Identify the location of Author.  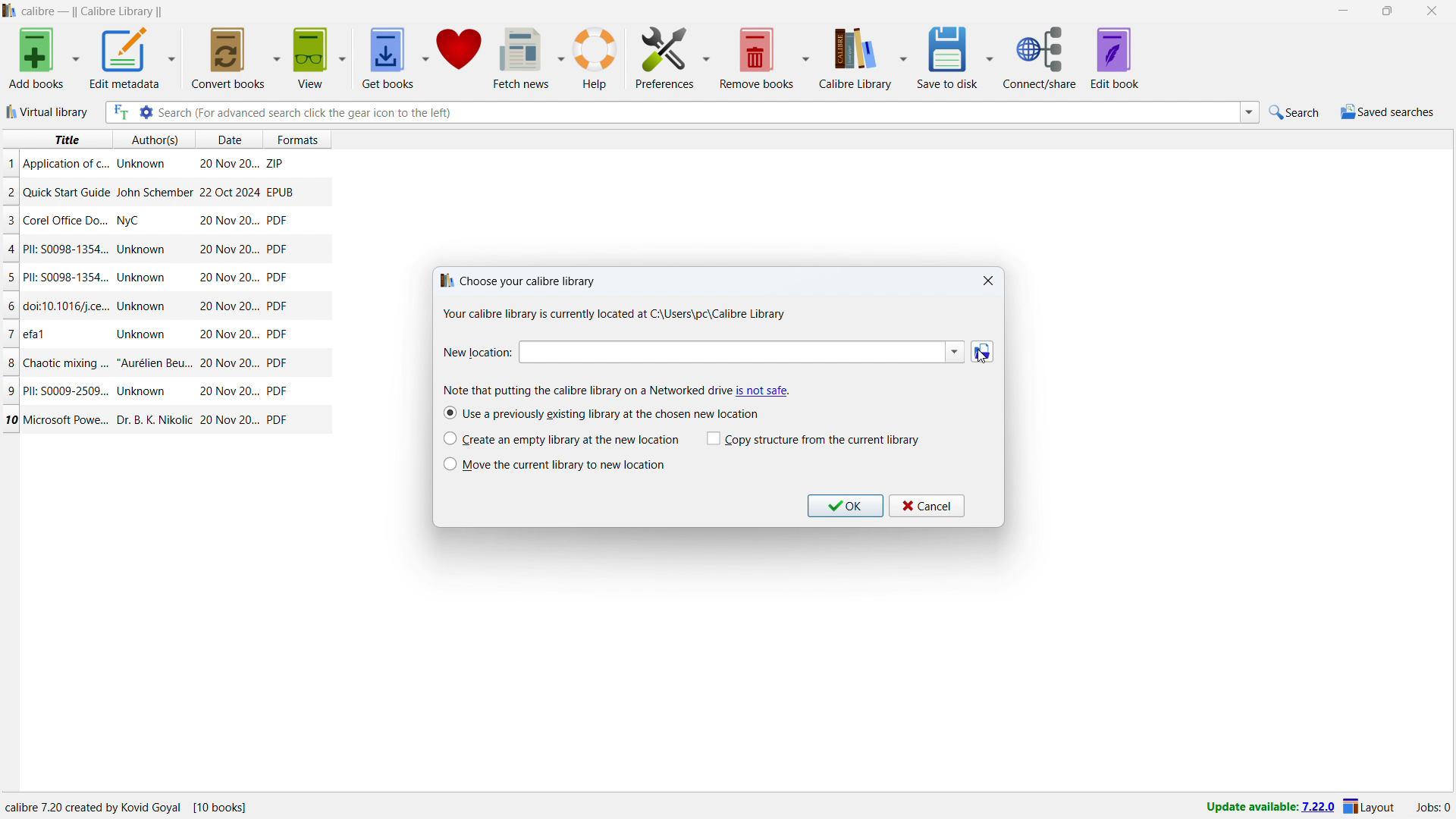
(141, 333).